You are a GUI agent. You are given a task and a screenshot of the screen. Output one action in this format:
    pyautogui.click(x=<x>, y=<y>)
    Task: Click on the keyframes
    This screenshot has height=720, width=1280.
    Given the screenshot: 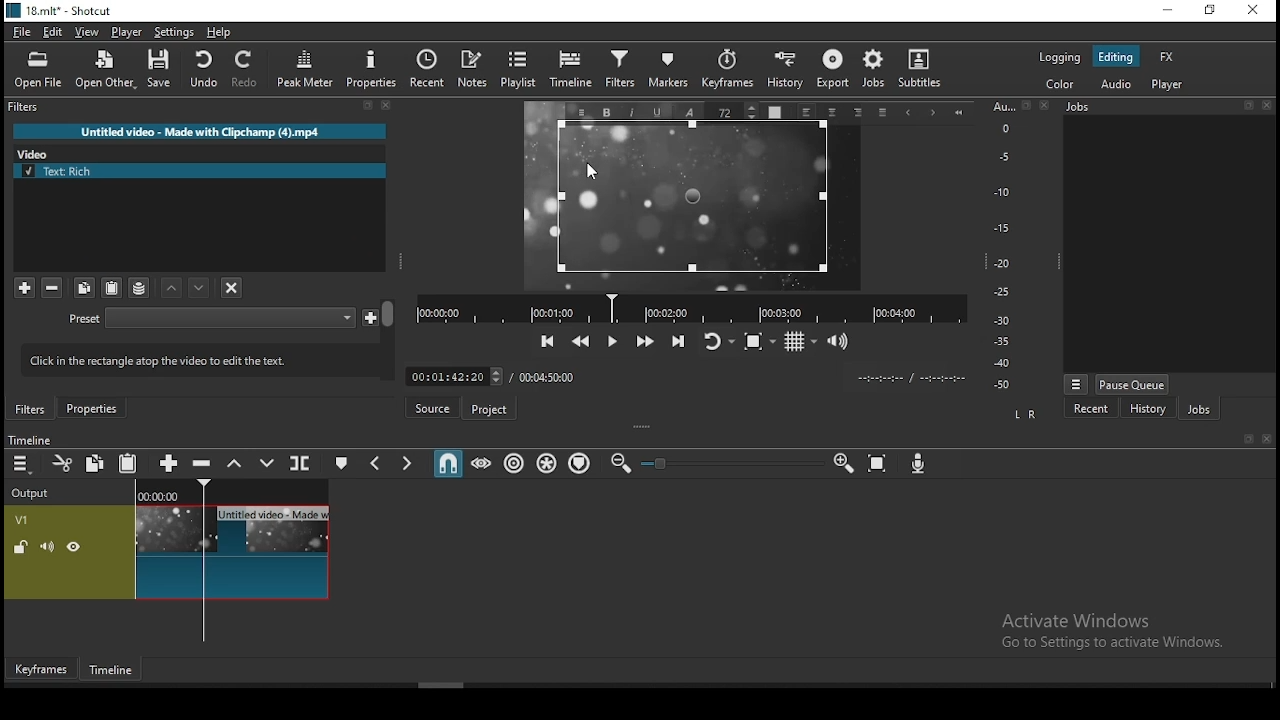 What is the action you would take?
    pyautogui.click(x=724, y=73)
    